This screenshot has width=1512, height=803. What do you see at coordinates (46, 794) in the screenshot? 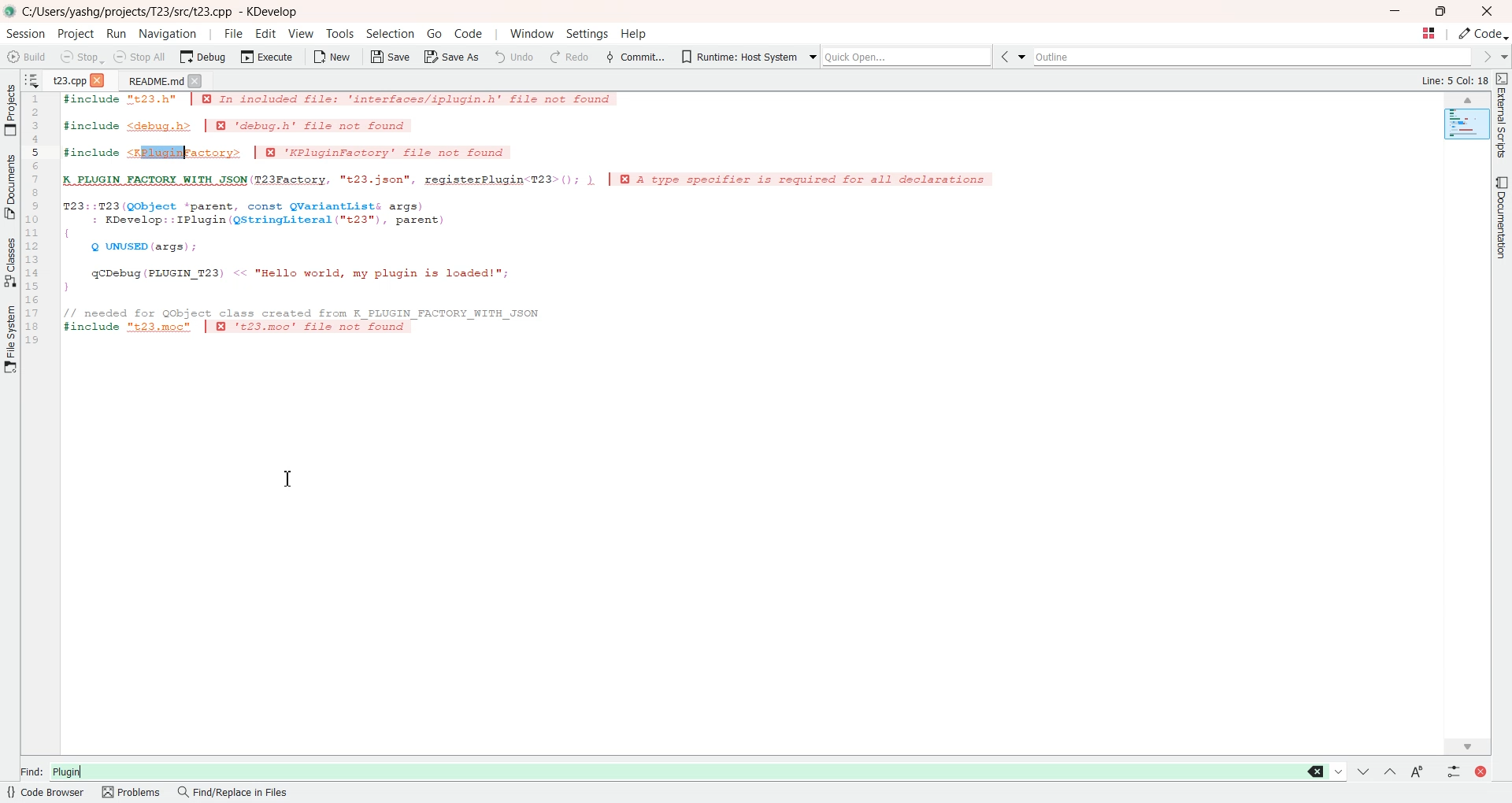
I see `Code Browser` at bounding box center [46, 794].